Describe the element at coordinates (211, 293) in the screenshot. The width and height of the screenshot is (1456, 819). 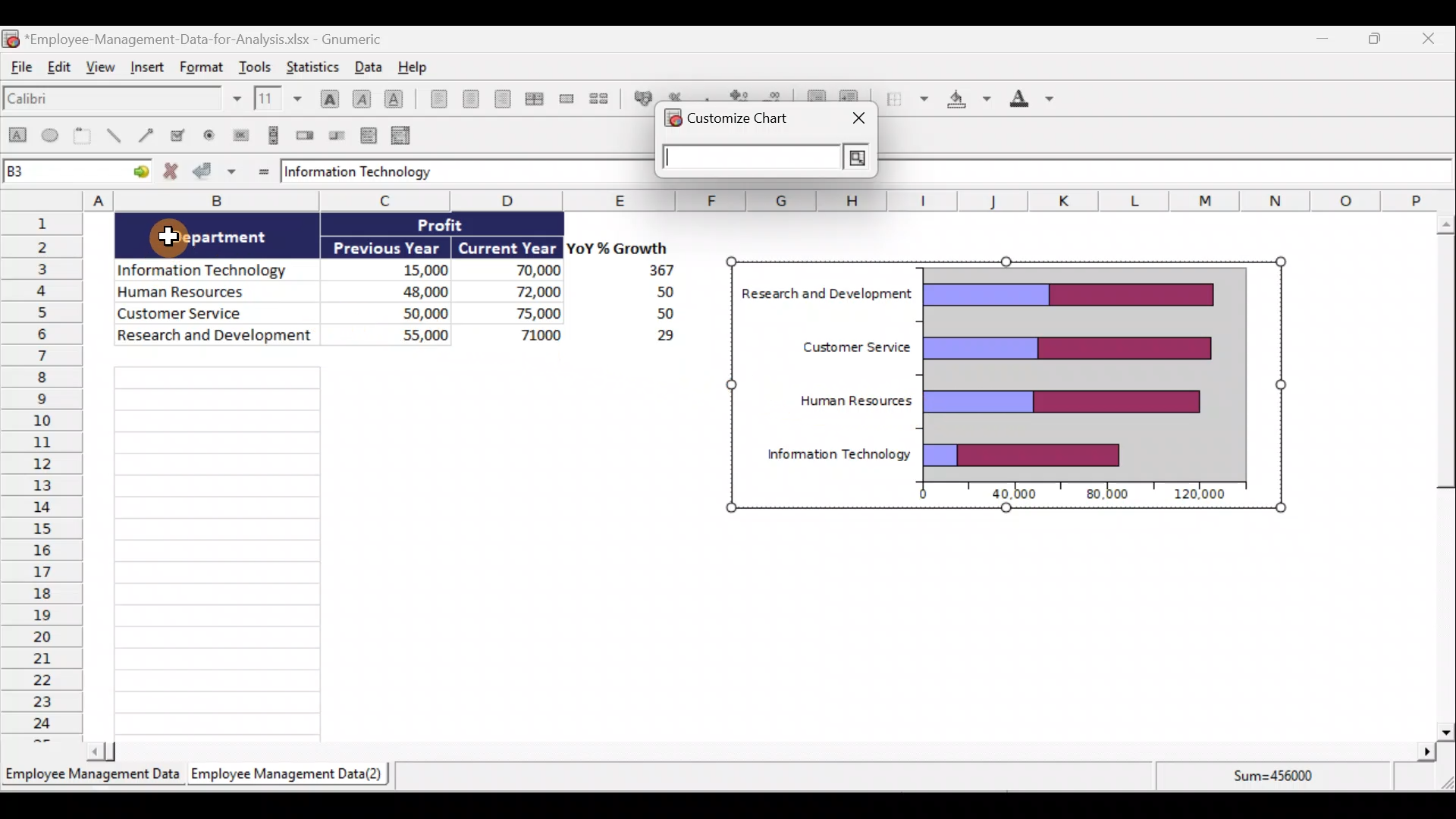
I see `Human Resources` at that location.